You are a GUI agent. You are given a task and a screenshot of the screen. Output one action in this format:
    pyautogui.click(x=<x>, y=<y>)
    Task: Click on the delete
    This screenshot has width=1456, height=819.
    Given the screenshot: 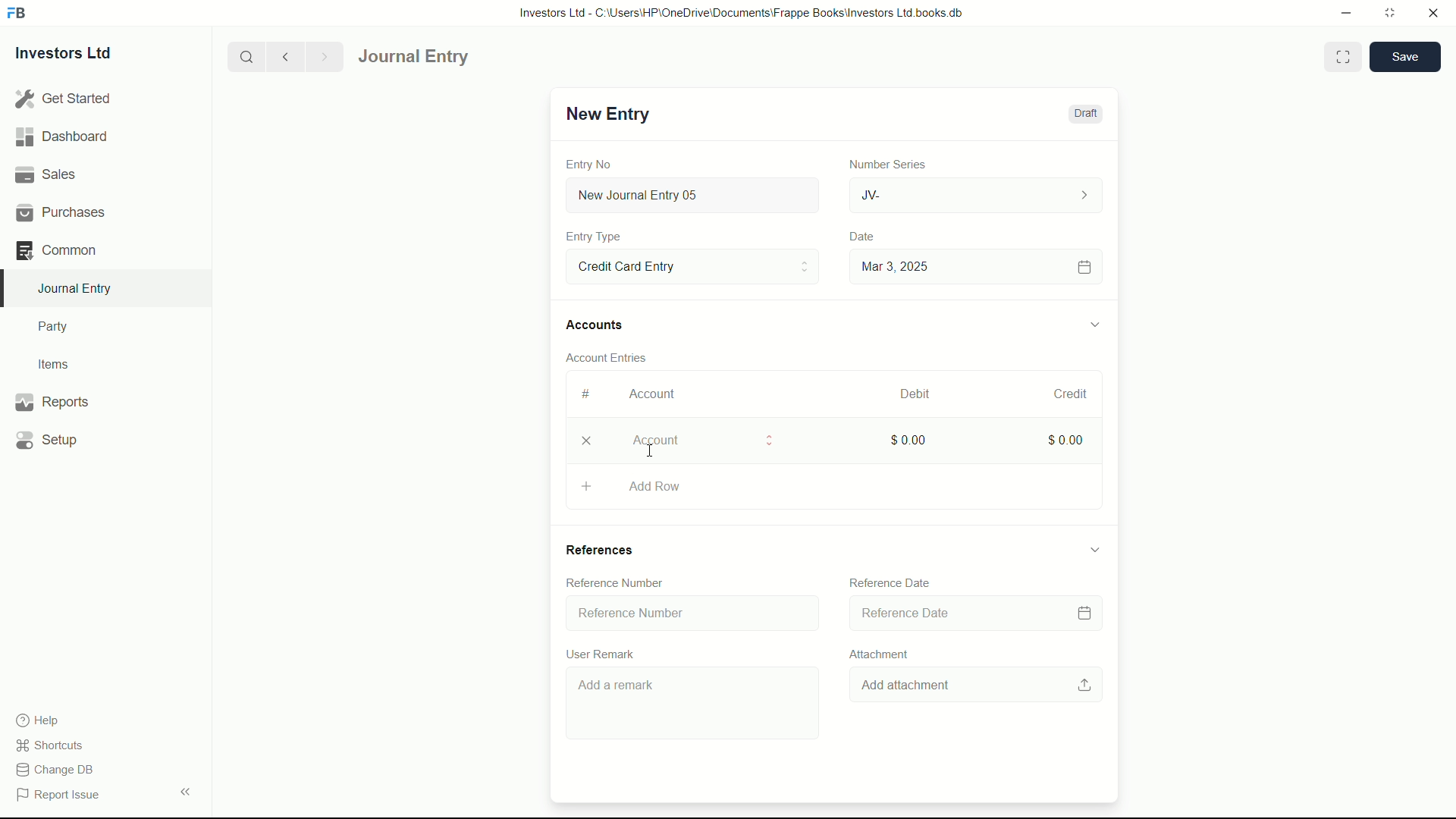 What is the action you would take?
    pyautogui.click(x=585, y=443)
    